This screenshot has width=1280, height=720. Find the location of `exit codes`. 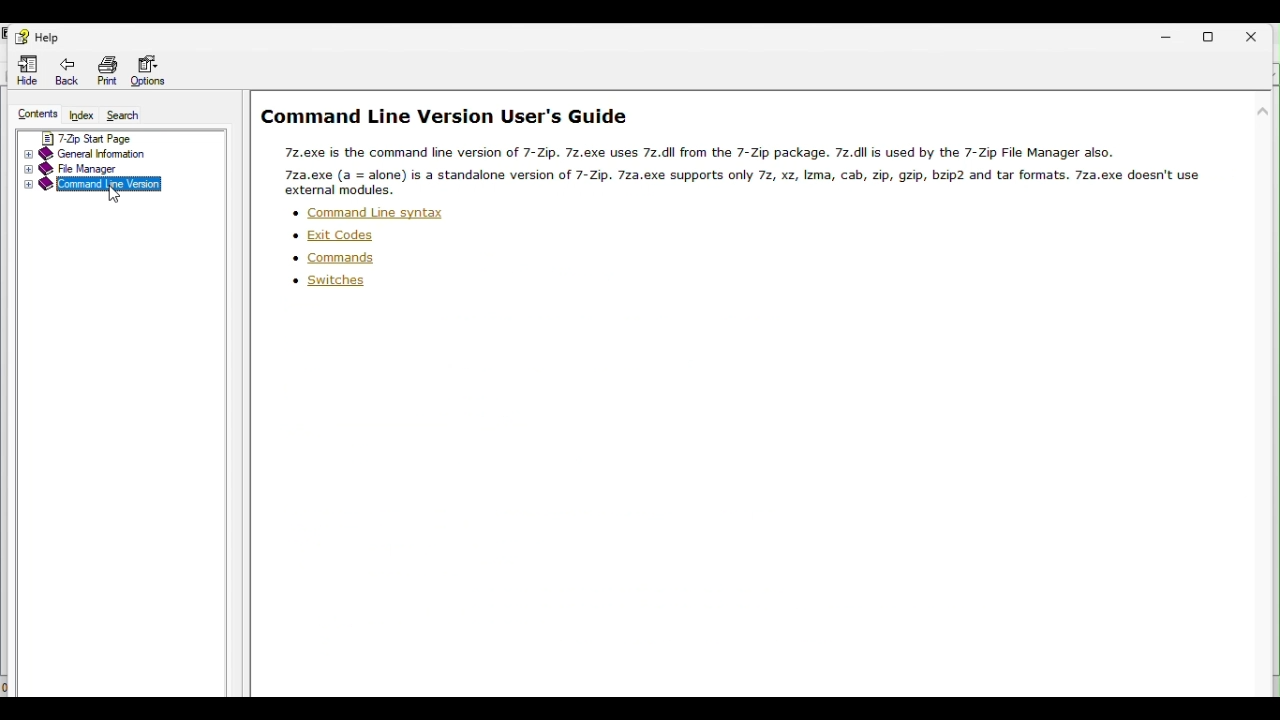

exit codes is located at coordinates (334, 236).